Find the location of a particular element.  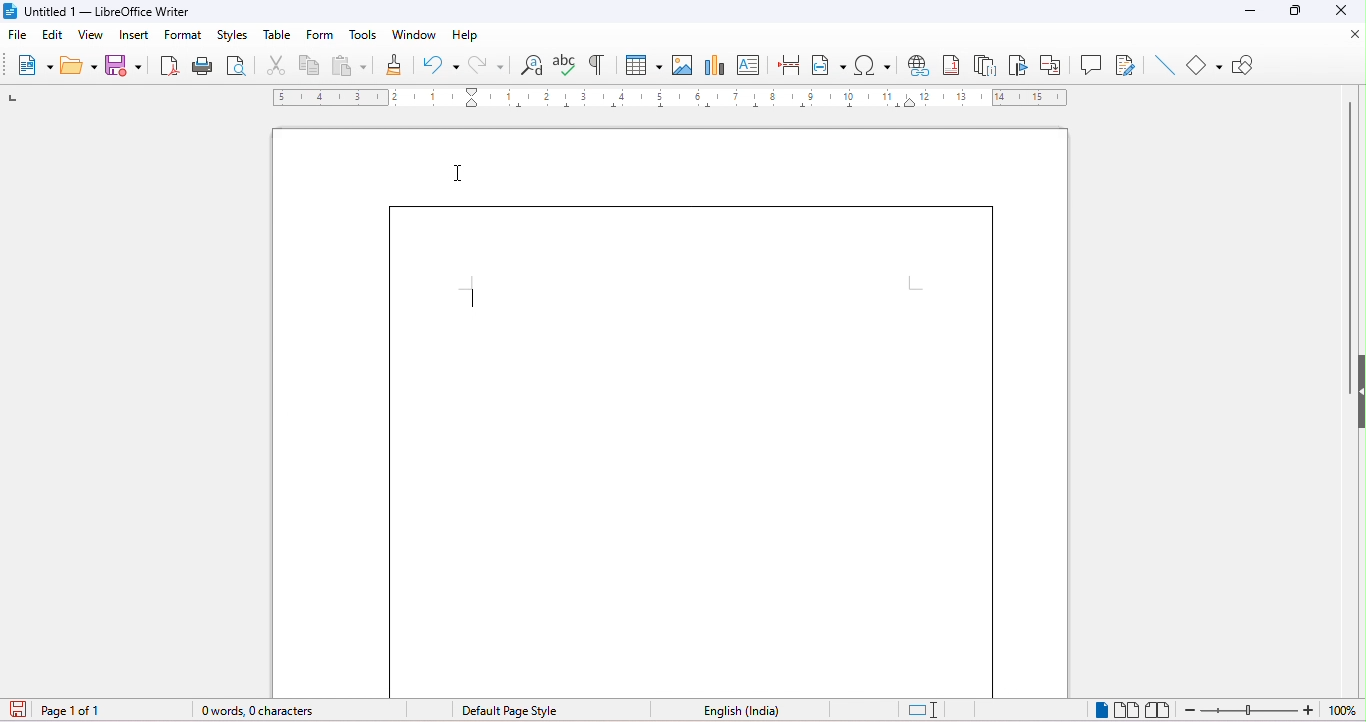

styles is located at coordinates (236, 37).